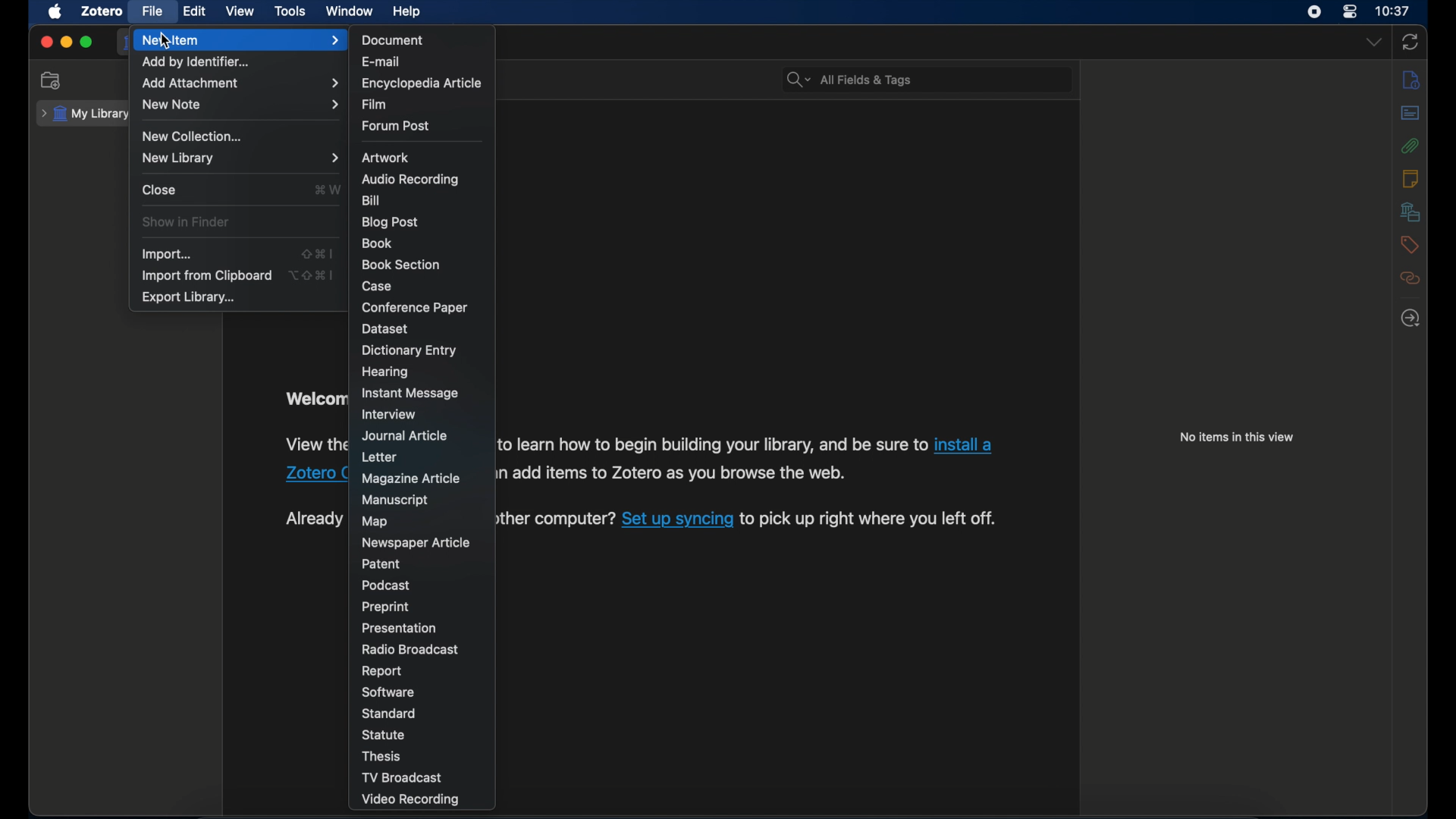 This screenshot has width=1456, height=819. Describe the element at coordinates (871, 518) in the screenshot. I see `software information` at that location.